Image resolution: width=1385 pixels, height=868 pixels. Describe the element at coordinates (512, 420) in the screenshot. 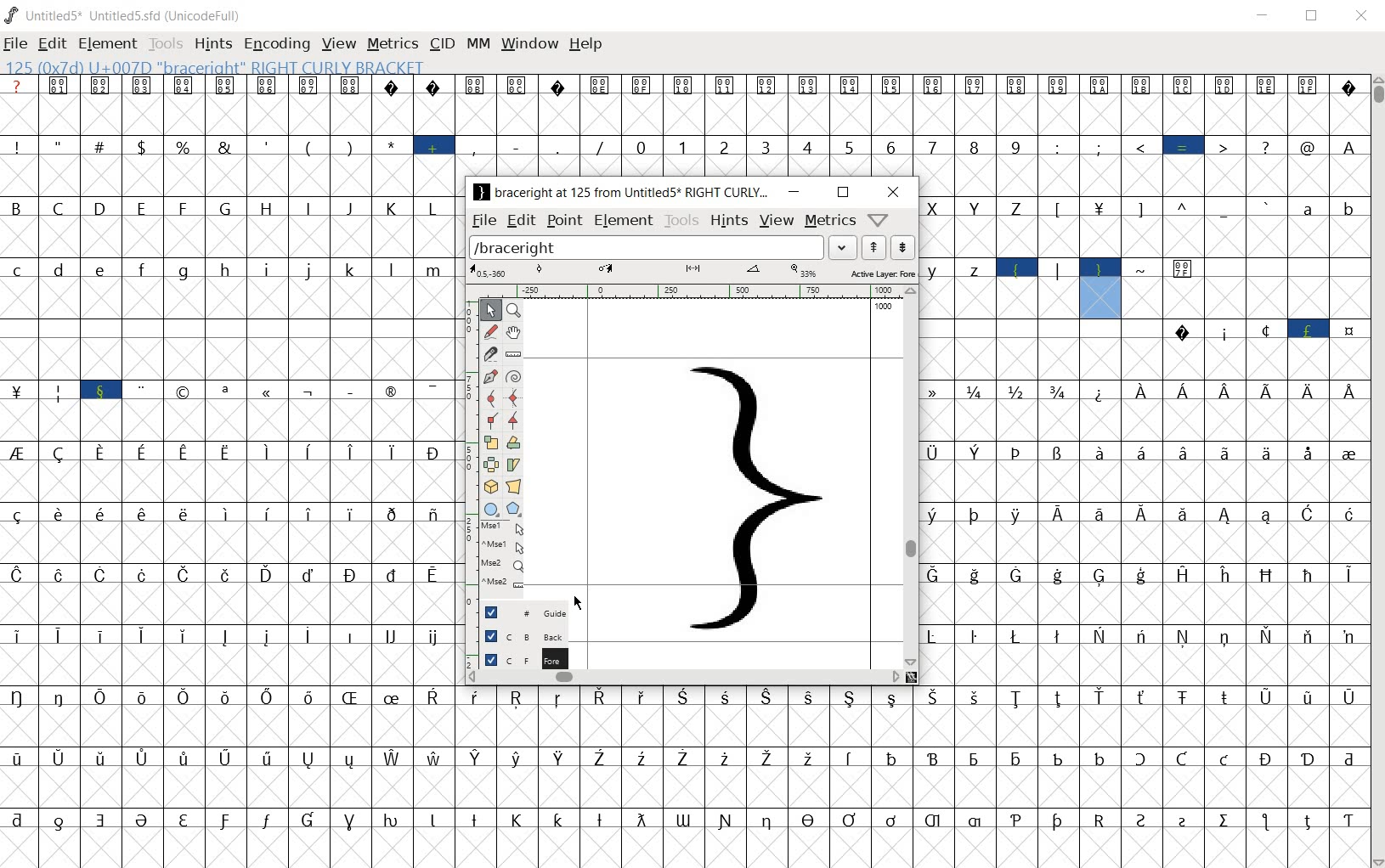

I see `Add a corner point` at that location.